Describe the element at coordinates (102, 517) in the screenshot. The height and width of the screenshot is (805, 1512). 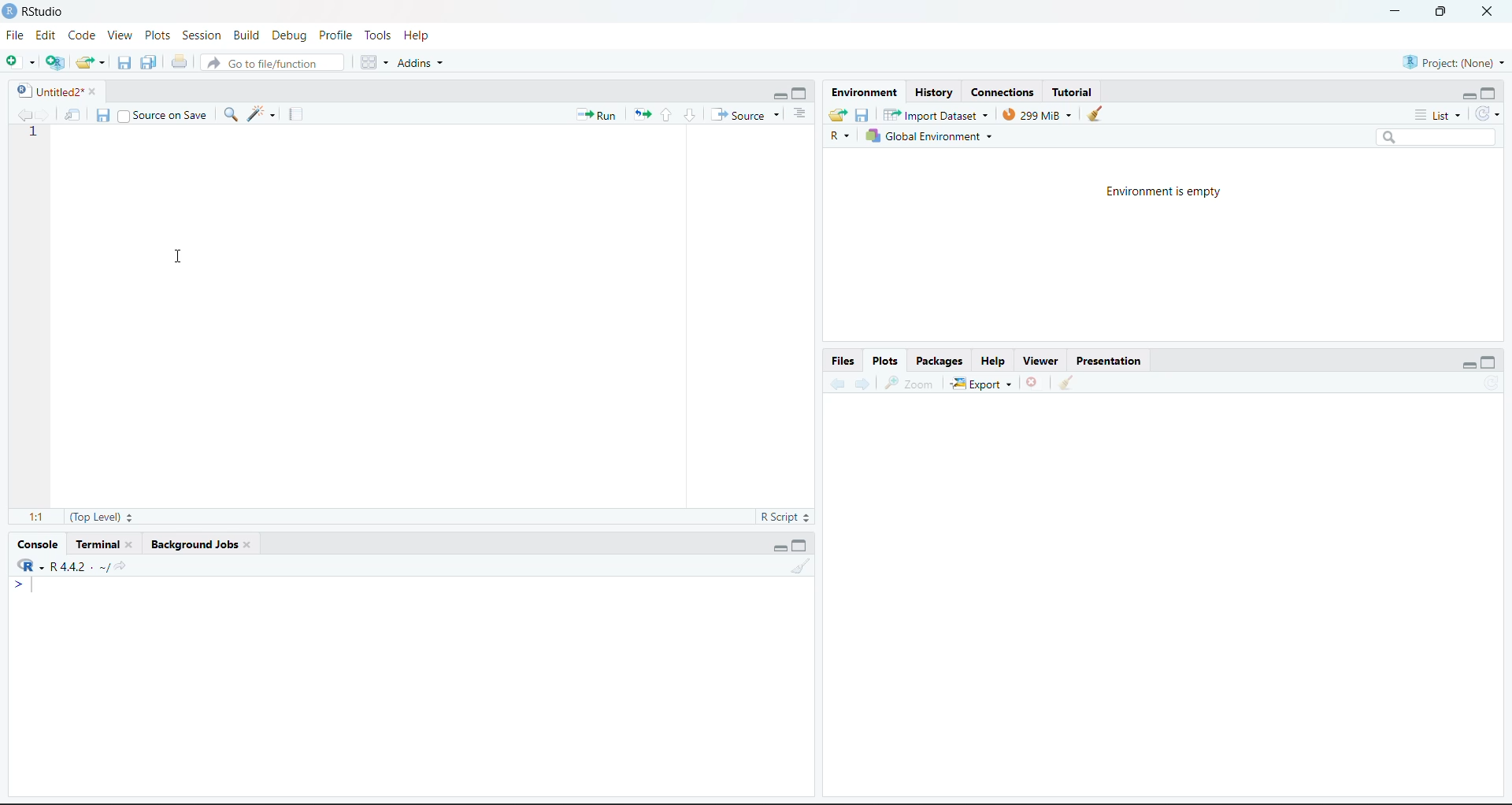
I see `(Top level)` at that location.